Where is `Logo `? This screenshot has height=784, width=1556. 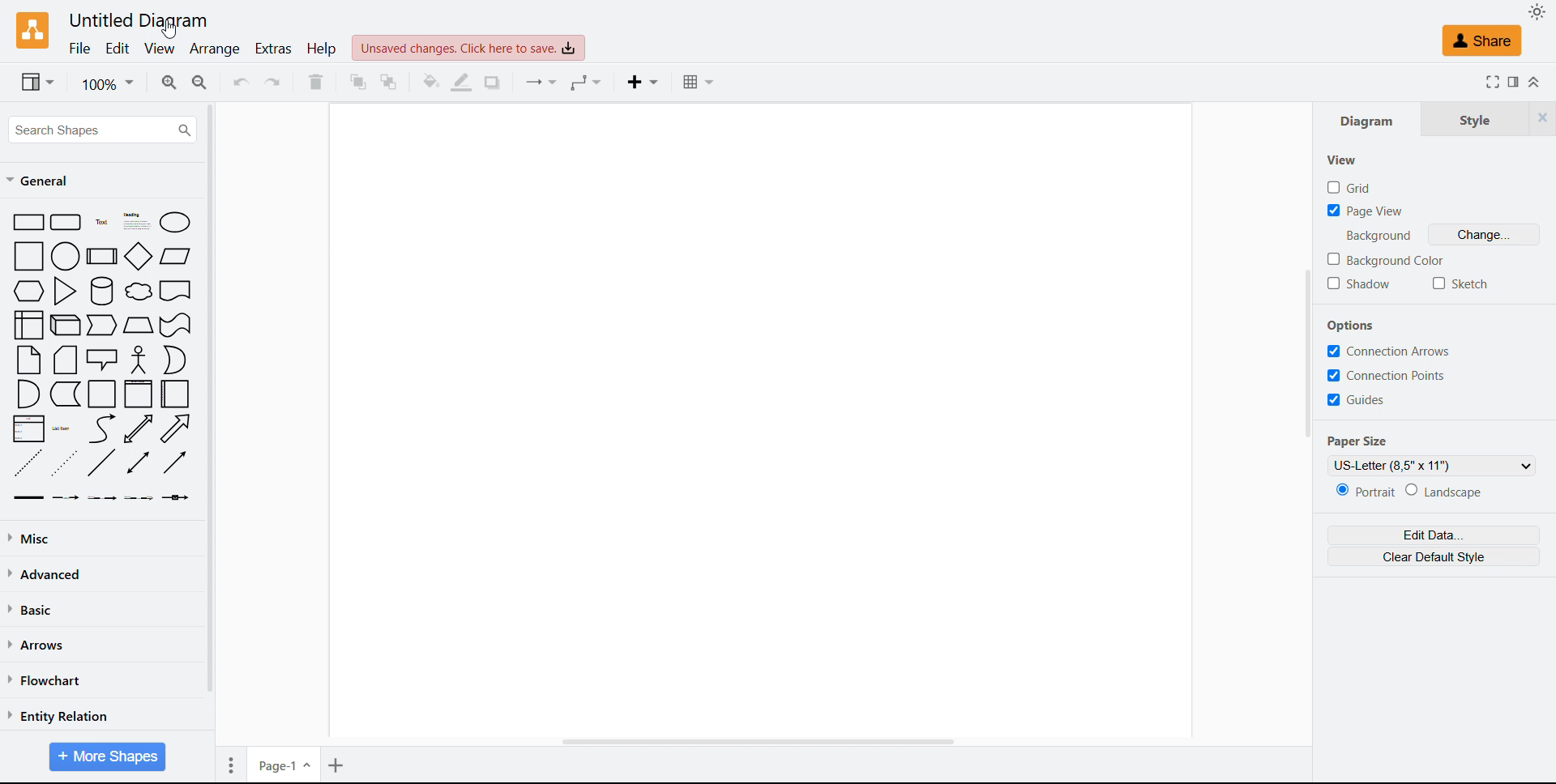
Logo  is located at coordinates (33, 30).